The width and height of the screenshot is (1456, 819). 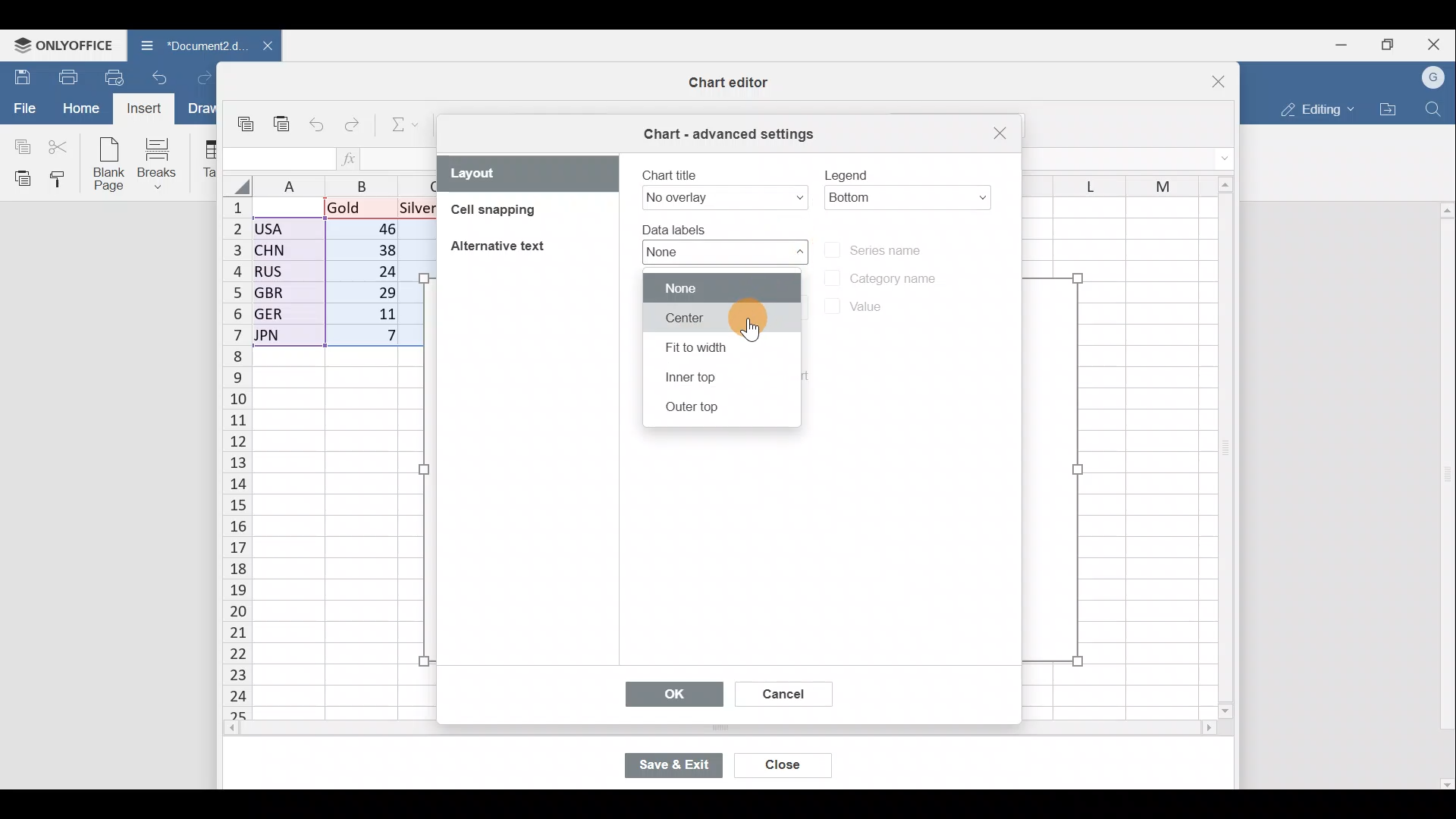 What do you see at coordinates (718, 352) in the screenshot?
I see `Fit to width` at bounding box center [718, 352].